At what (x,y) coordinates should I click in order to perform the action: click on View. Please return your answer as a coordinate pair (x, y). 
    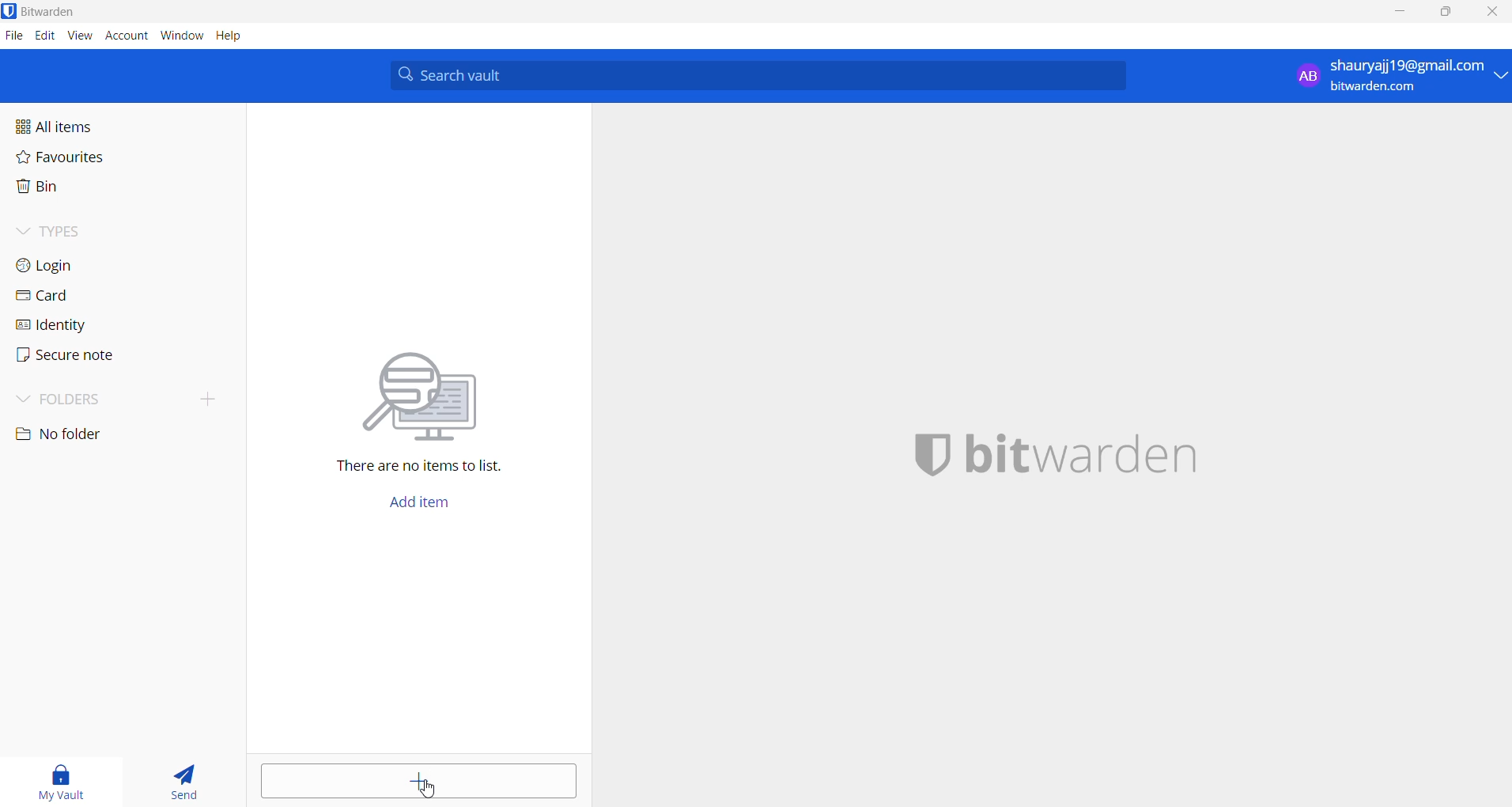
    Looking at the image, I should click on (81, 36).